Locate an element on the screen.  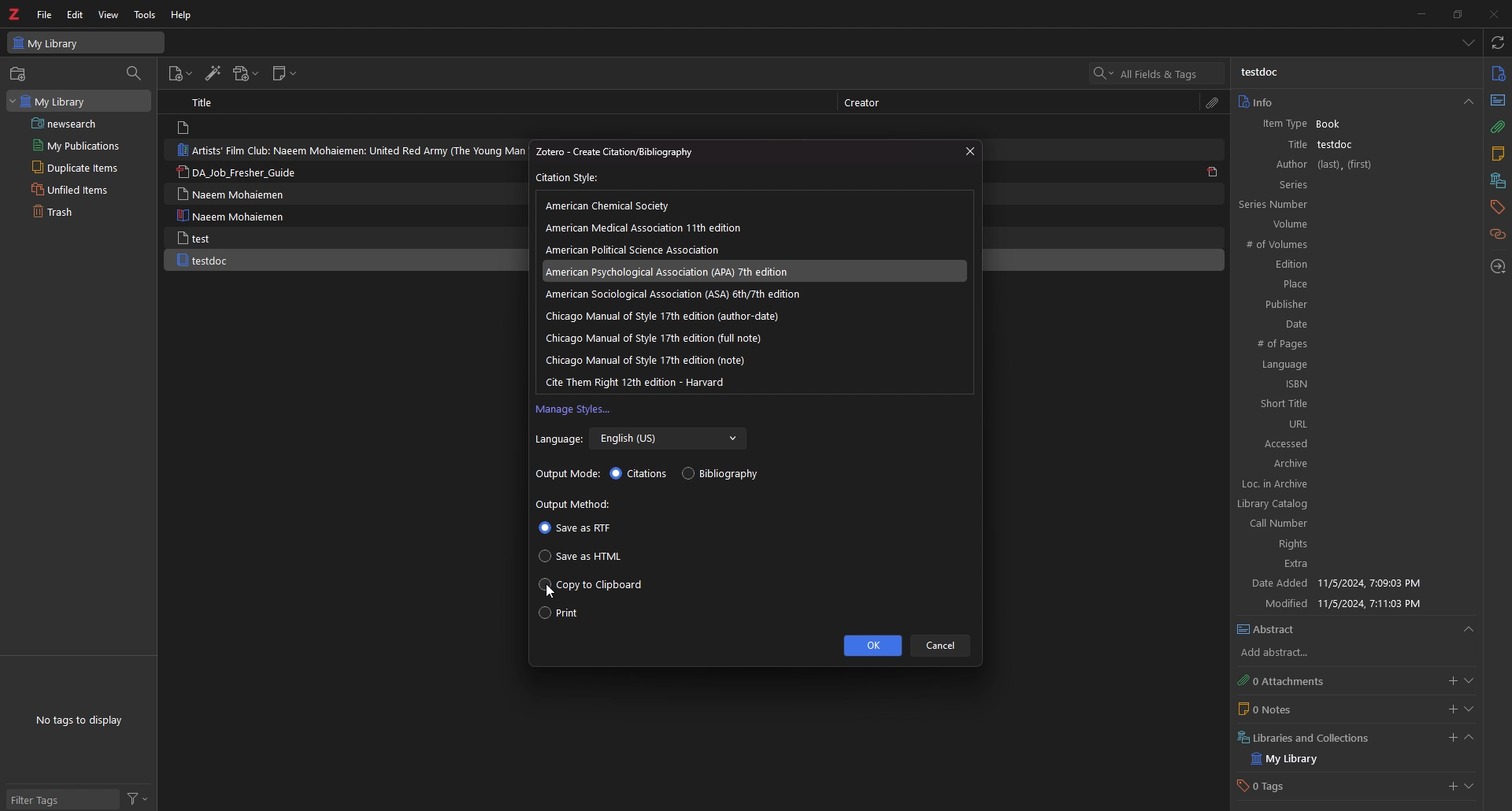
Creator is located at coordinates (868, 103).